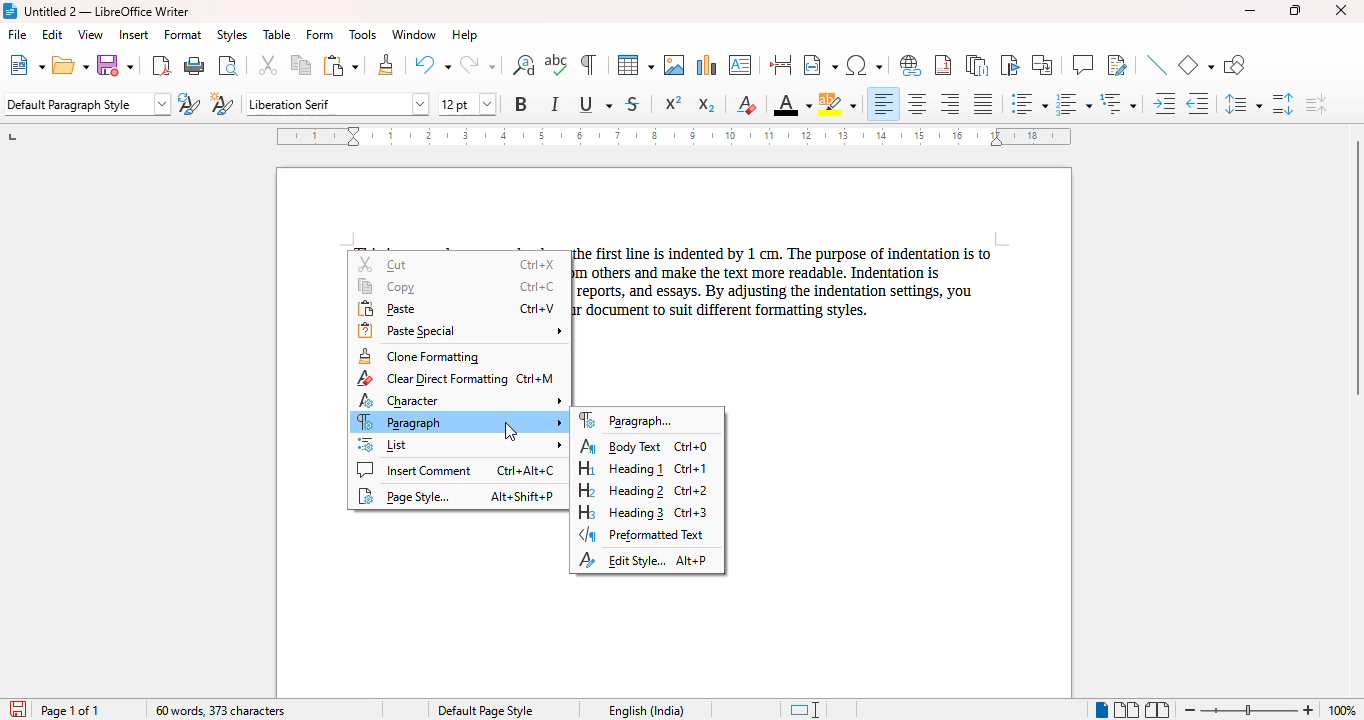  What do you see at coordinates (742, 65) in the screenshot?
I see `insert text box` at bounding box center [742, 65].